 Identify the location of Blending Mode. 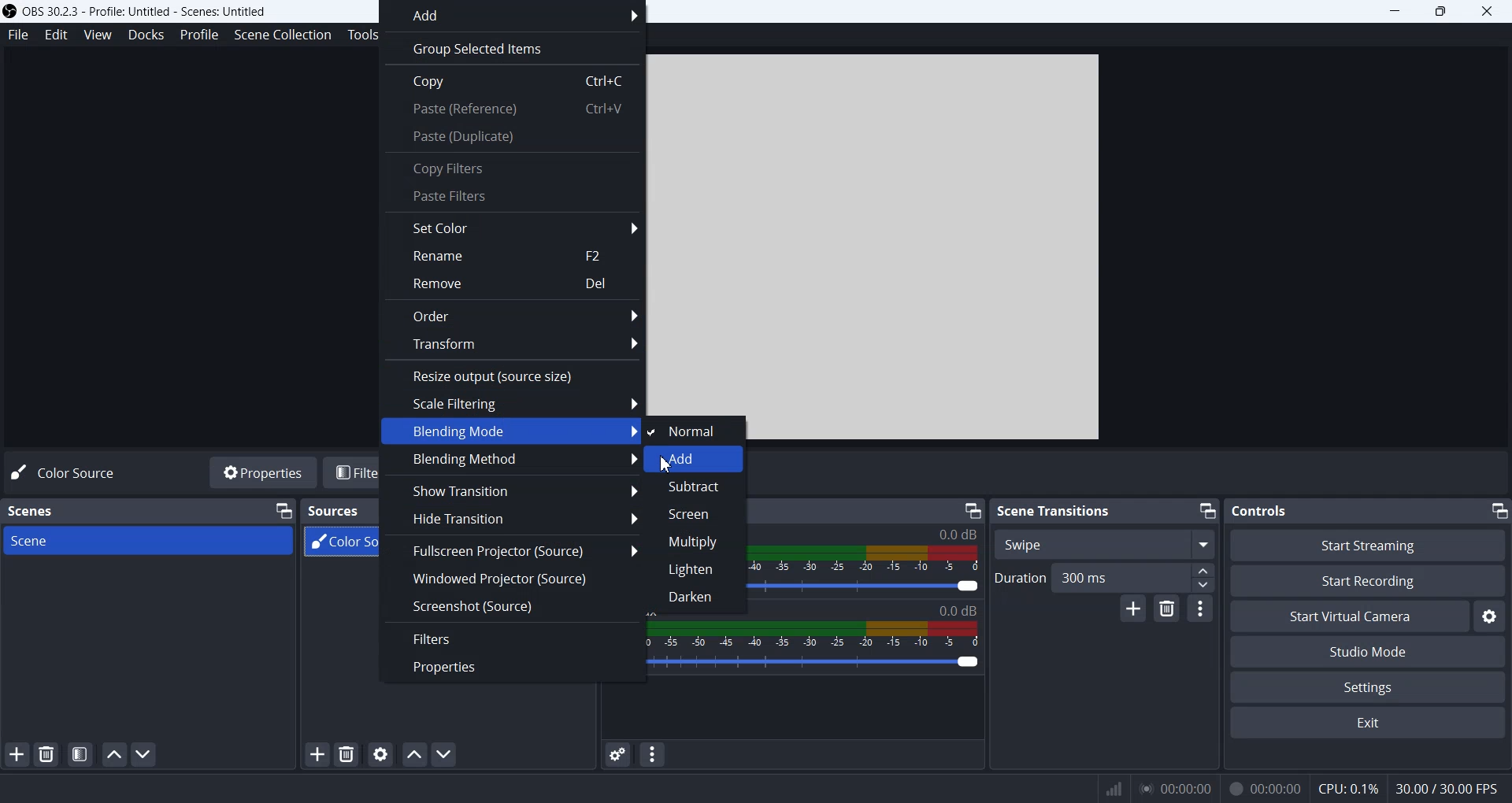
(510, 431).